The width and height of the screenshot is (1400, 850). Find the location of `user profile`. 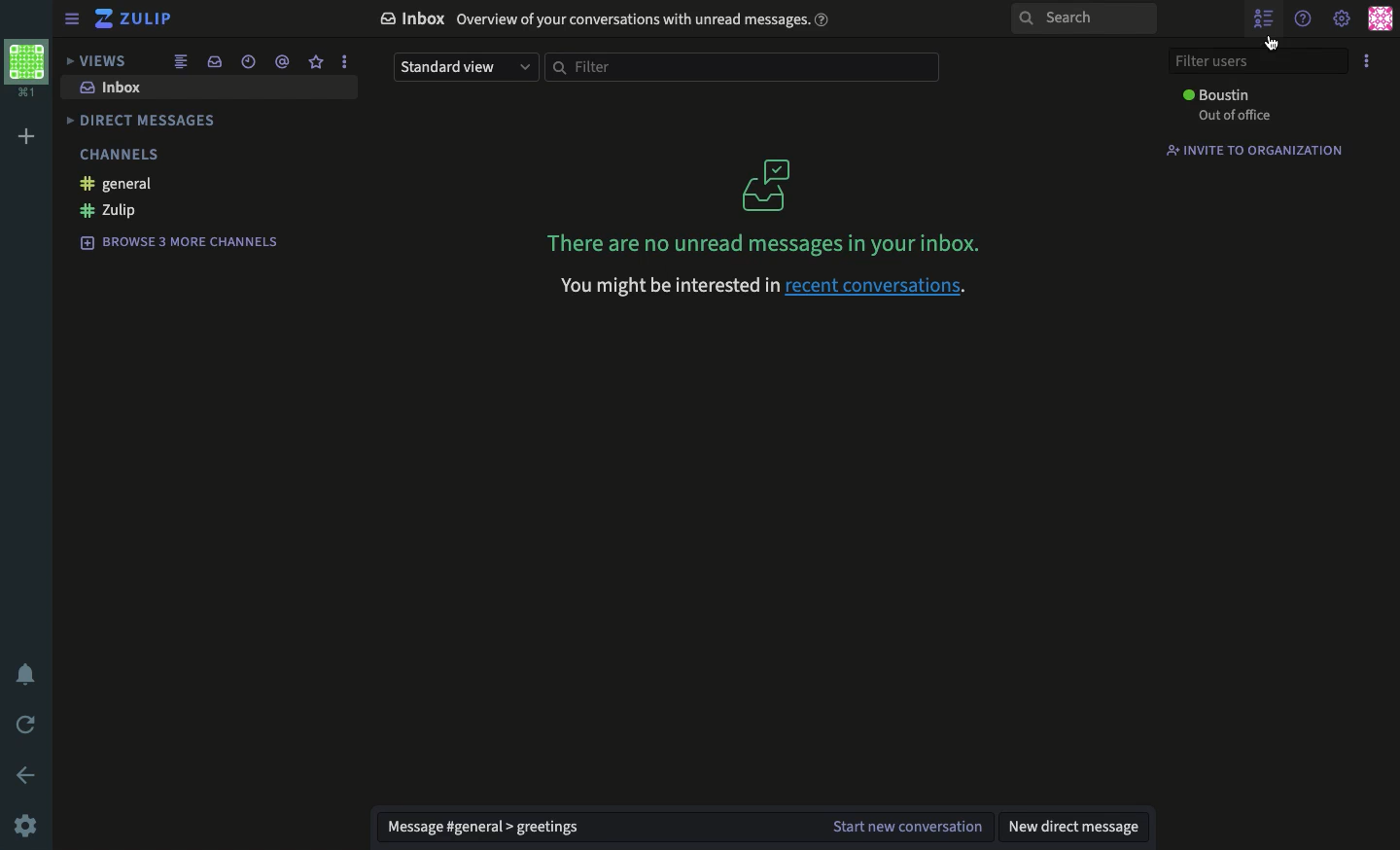

user profile is located at coordinates (1380, 18).